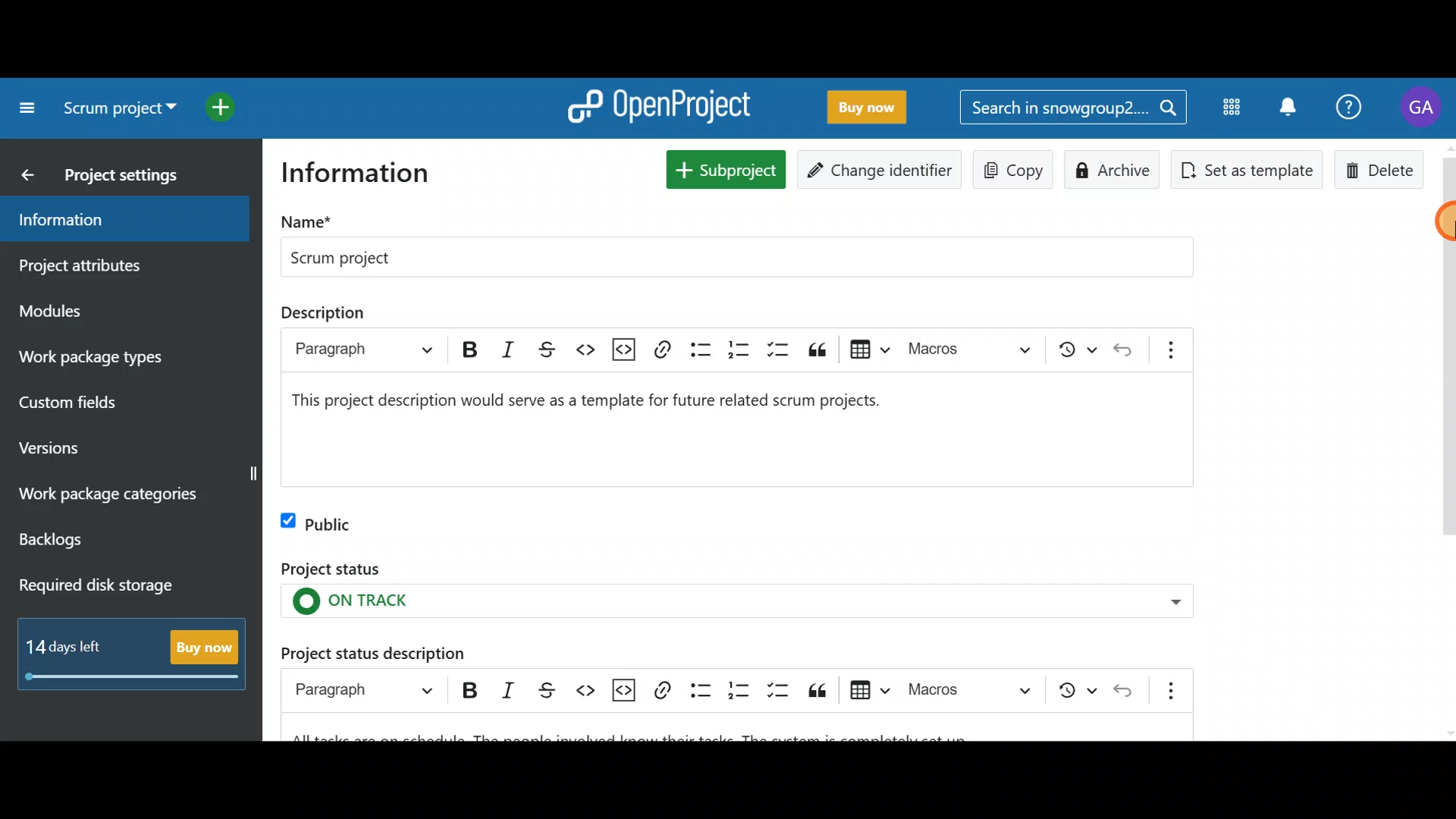  What do you see at coordinates (138, 657) in the screenshot?
I see `Buy now` at bounding box center [138, 657].